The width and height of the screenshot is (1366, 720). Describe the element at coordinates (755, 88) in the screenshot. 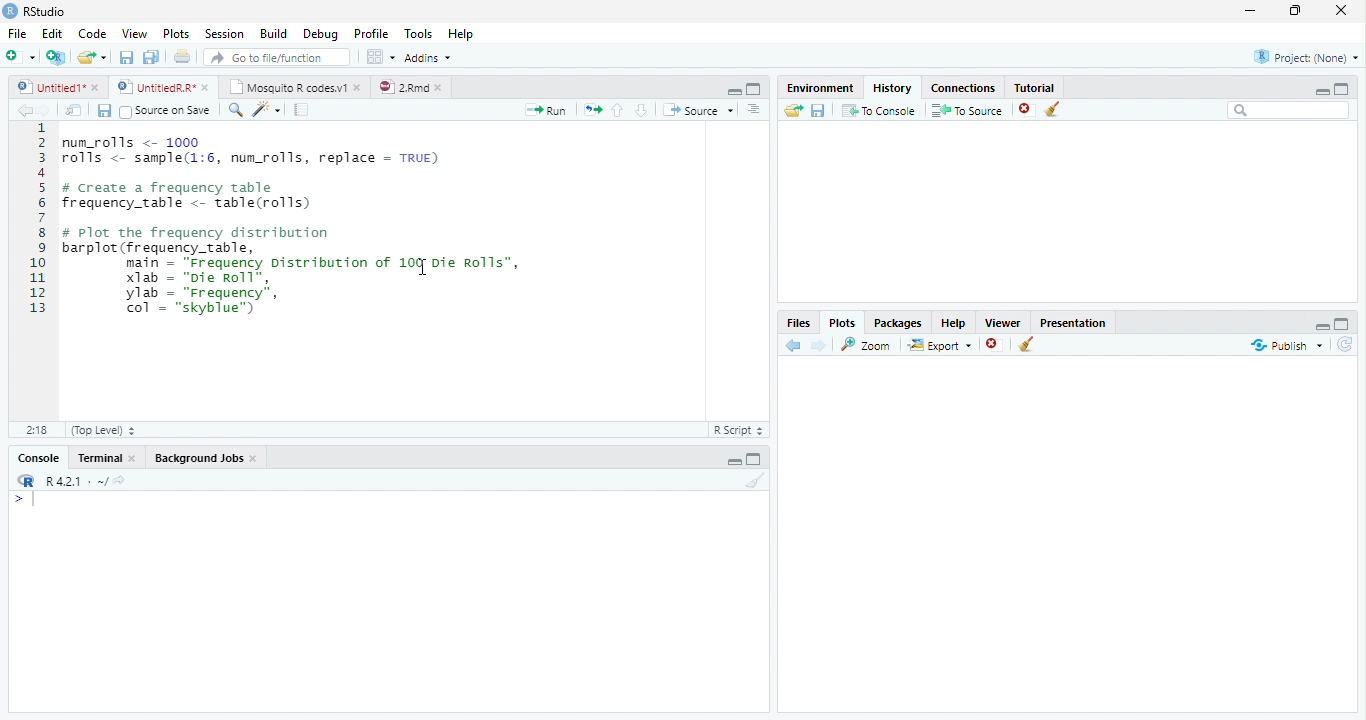

I see `Full Screen` at that location.